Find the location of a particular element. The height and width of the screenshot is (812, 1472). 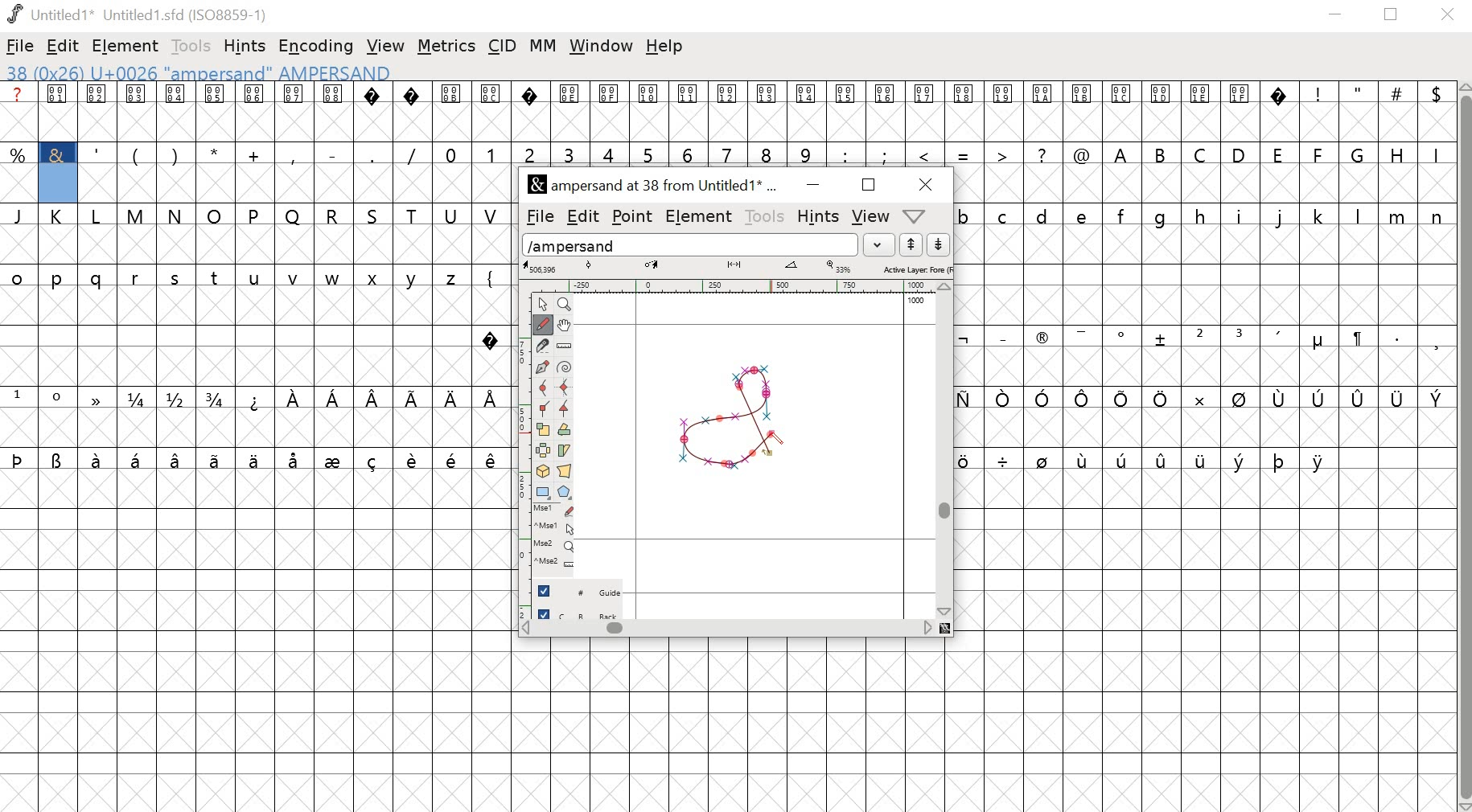

S is located at coordinates (375, 215).